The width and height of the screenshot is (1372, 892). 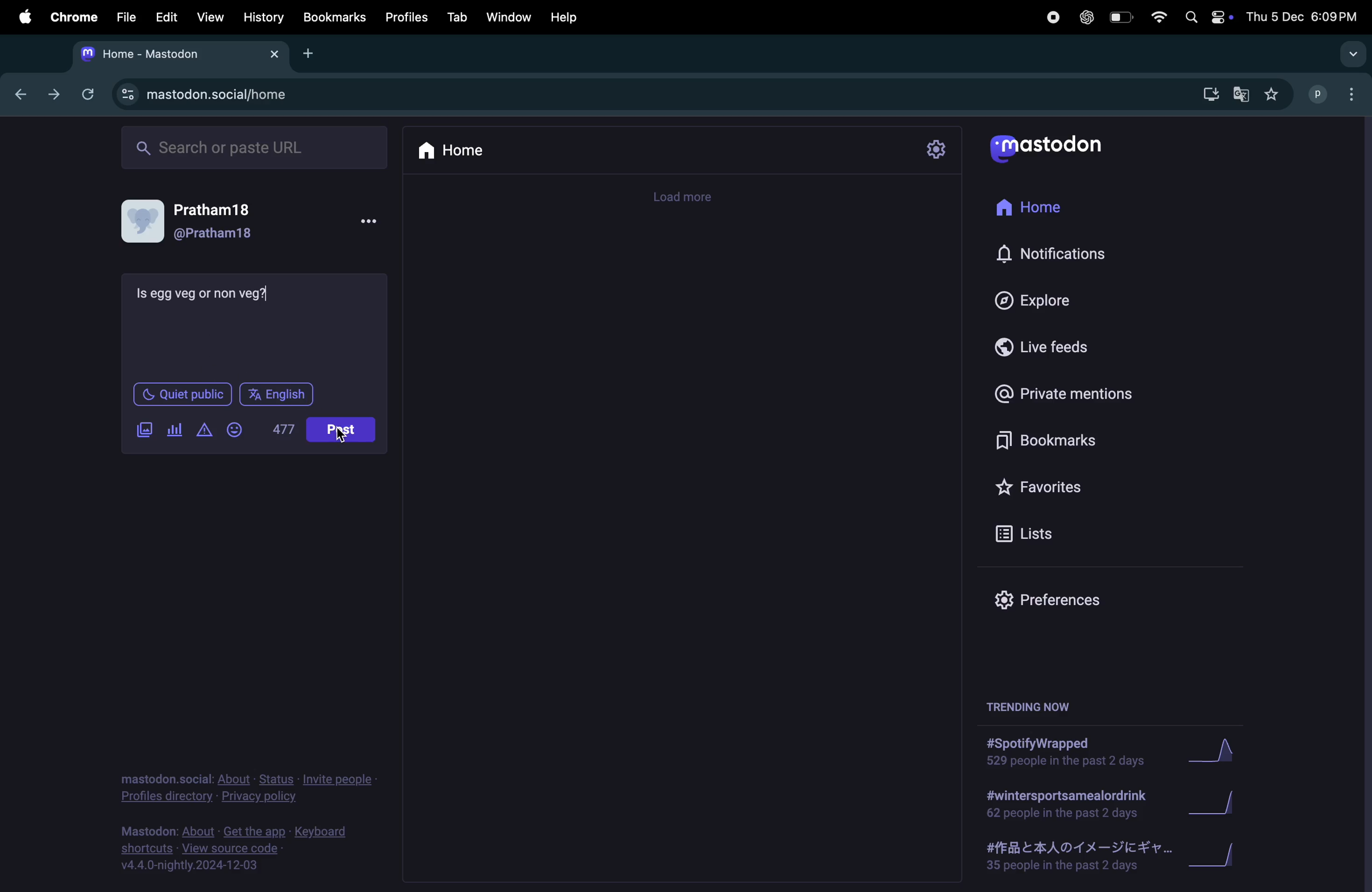 What do you see at coordinates (174, 432) in the screenshot?
I see `poll` at bounding box center [174, 432].